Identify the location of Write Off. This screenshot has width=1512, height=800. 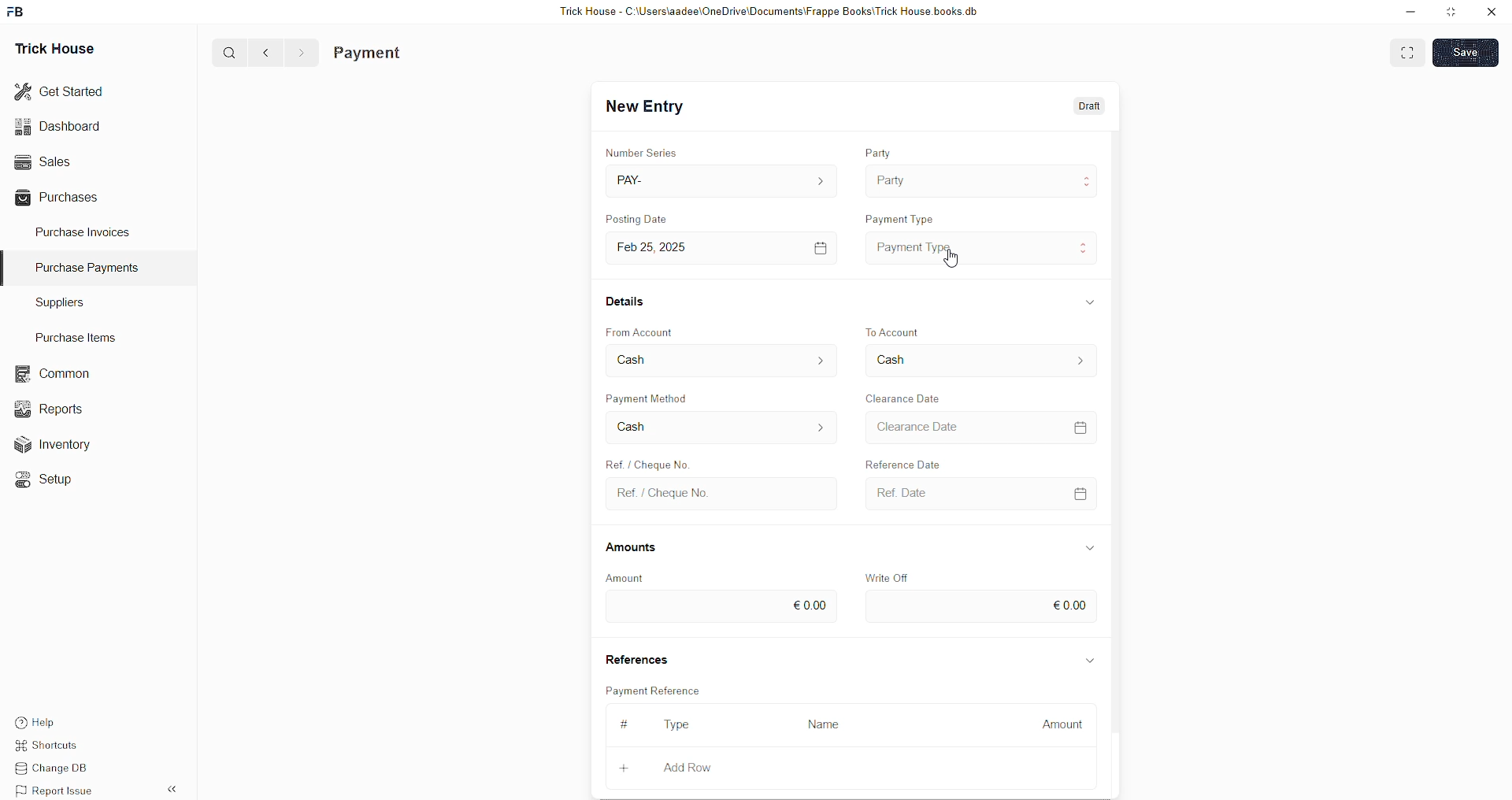
(890, 576).